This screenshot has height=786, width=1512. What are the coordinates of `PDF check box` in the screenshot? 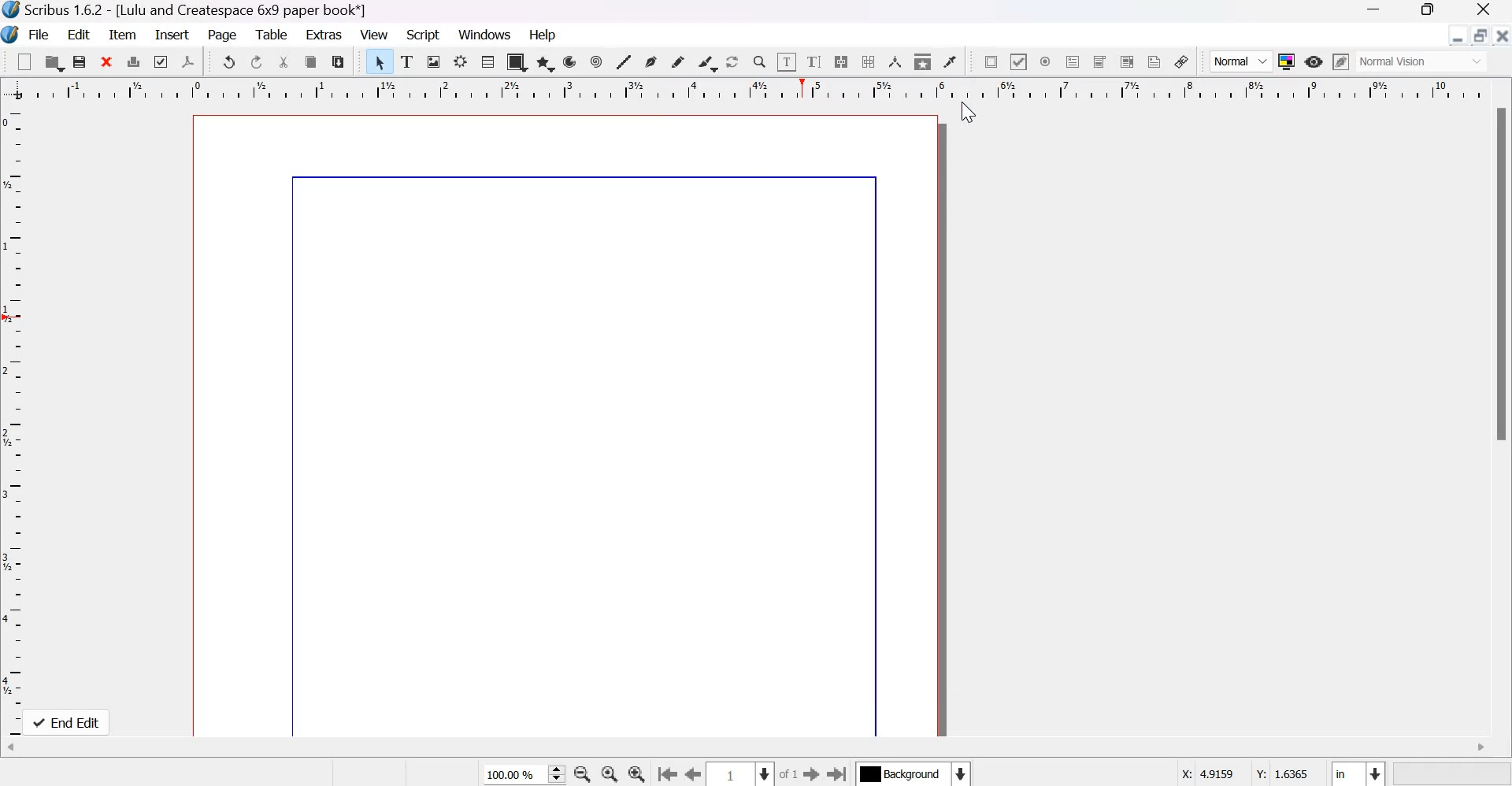 It's located at (1017, 61).